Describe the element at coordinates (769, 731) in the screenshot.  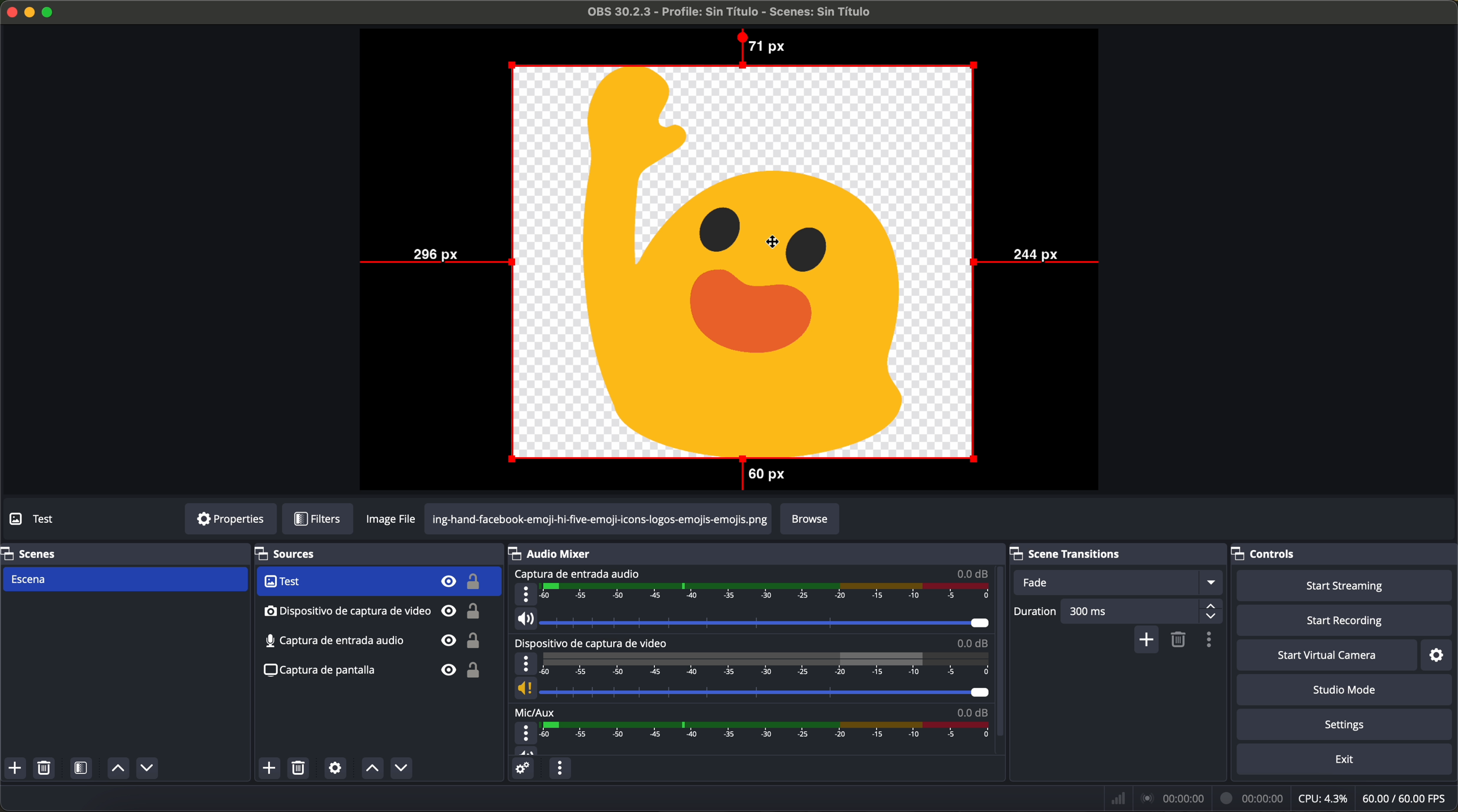
I see `timeline` at that location.